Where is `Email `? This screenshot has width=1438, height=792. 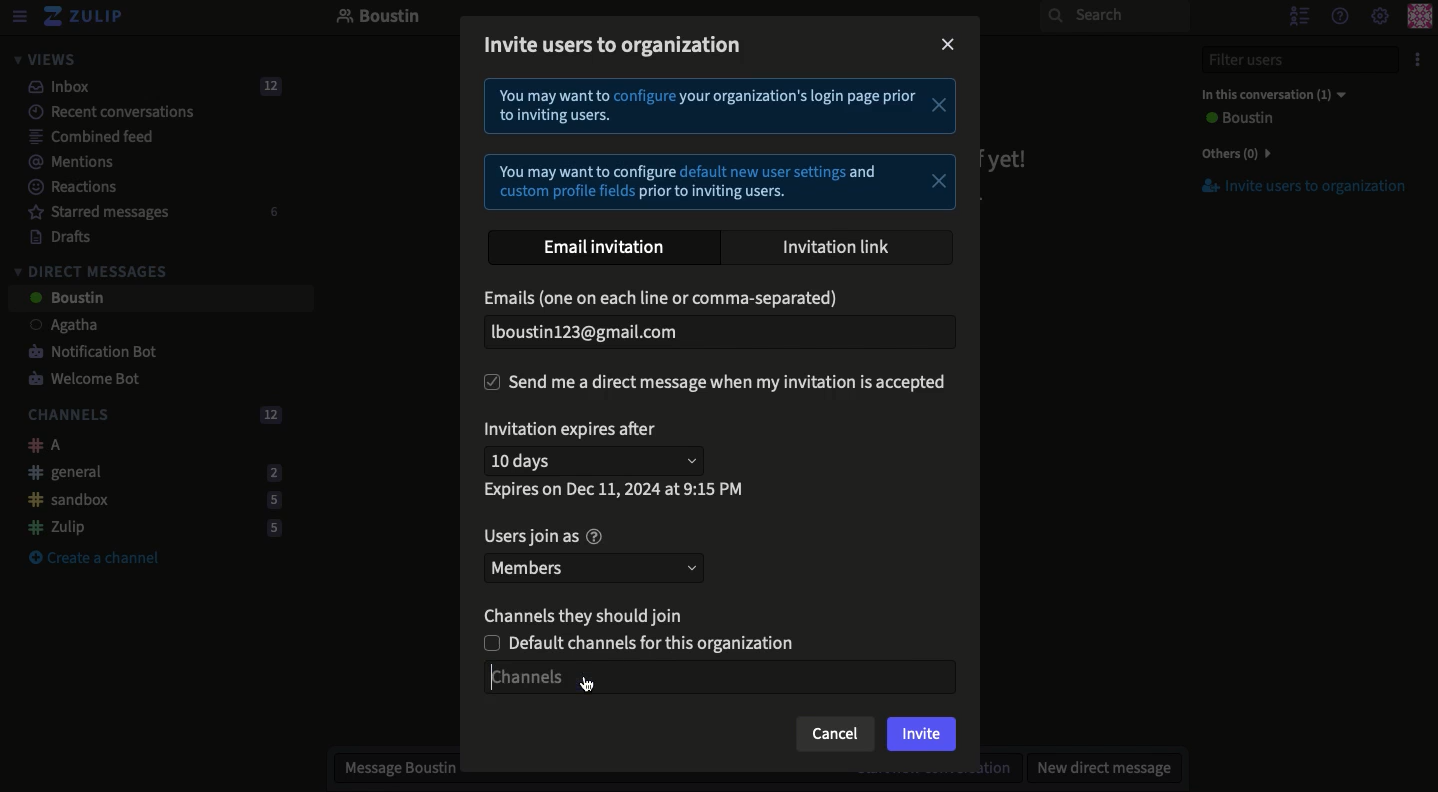
Email  is located at coordinates (666, 299).